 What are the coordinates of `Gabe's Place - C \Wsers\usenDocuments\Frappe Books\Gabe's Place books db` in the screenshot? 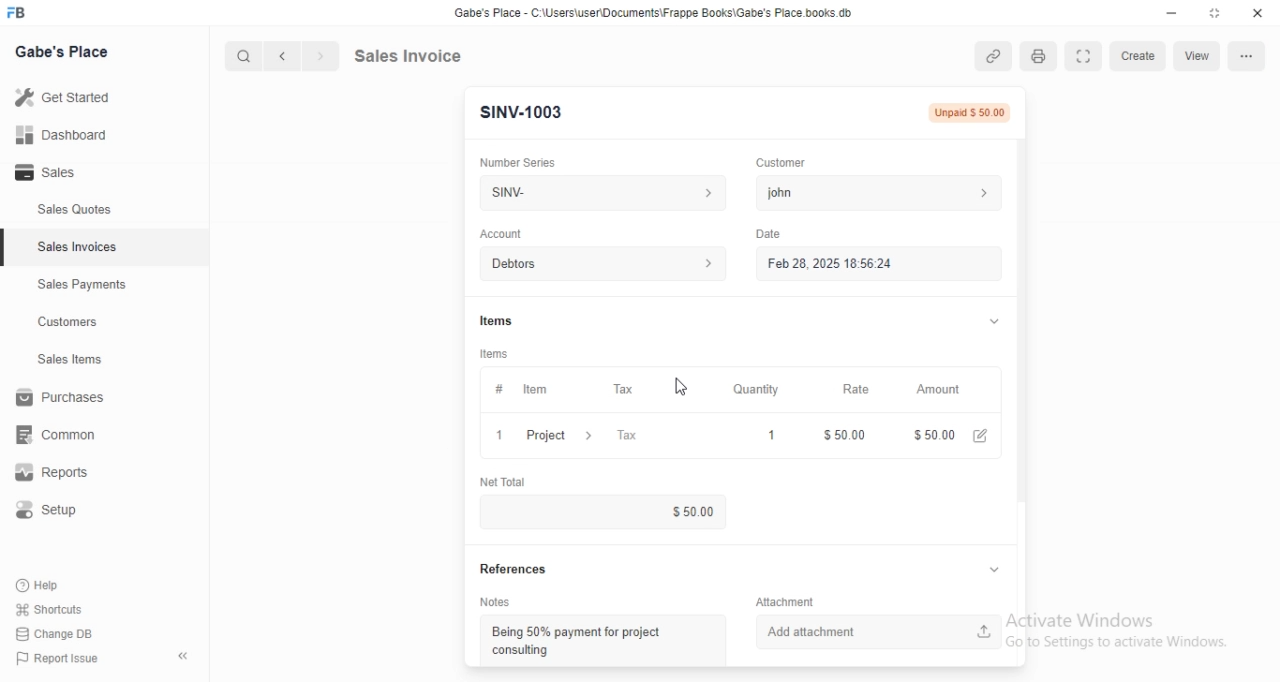 It's located at (658, 16).